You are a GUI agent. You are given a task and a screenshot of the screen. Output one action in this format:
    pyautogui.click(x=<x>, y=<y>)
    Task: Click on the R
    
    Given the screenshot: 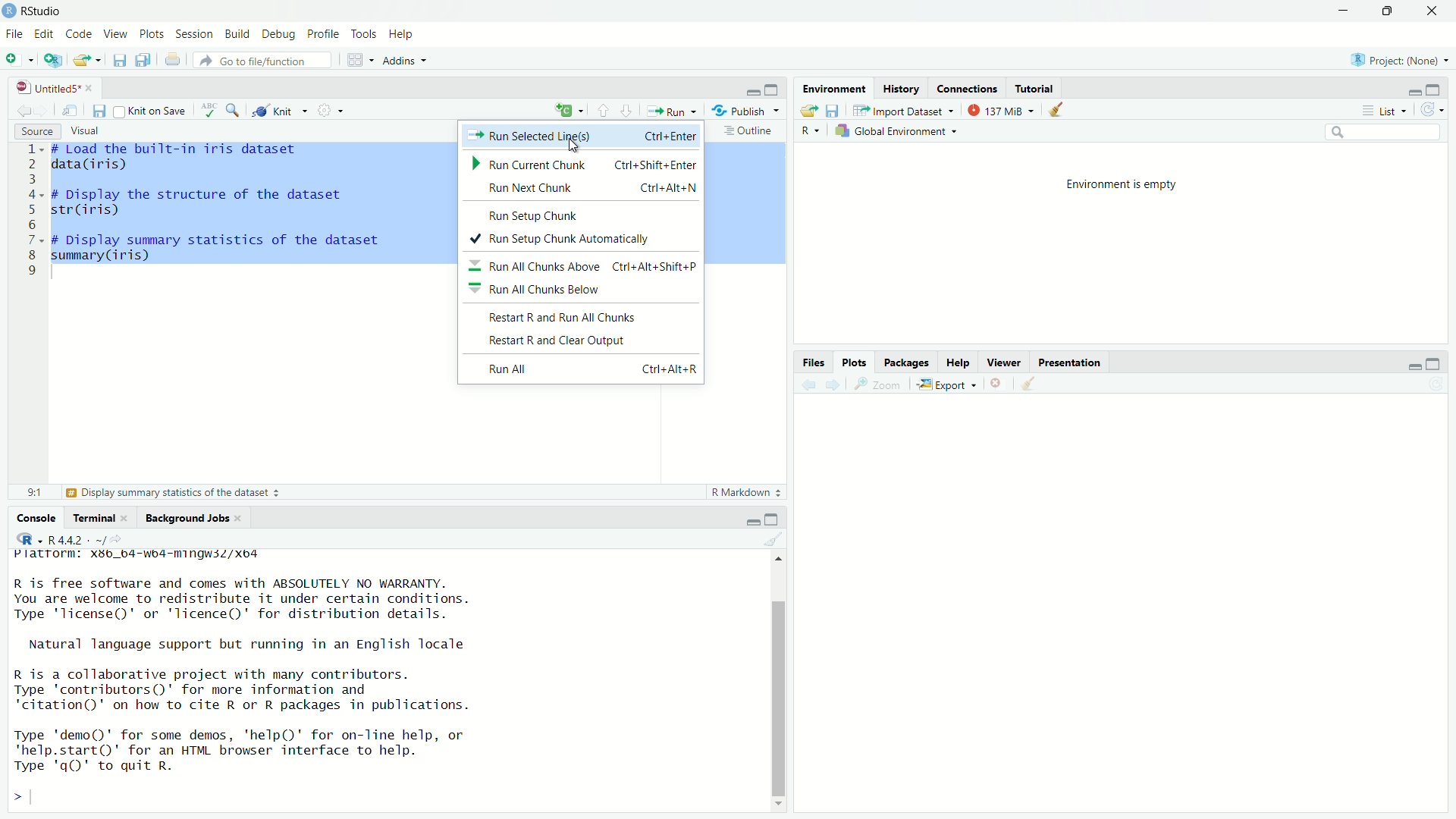 What is the action you would take?
    pyautogui.click(x=811, y=130)
    